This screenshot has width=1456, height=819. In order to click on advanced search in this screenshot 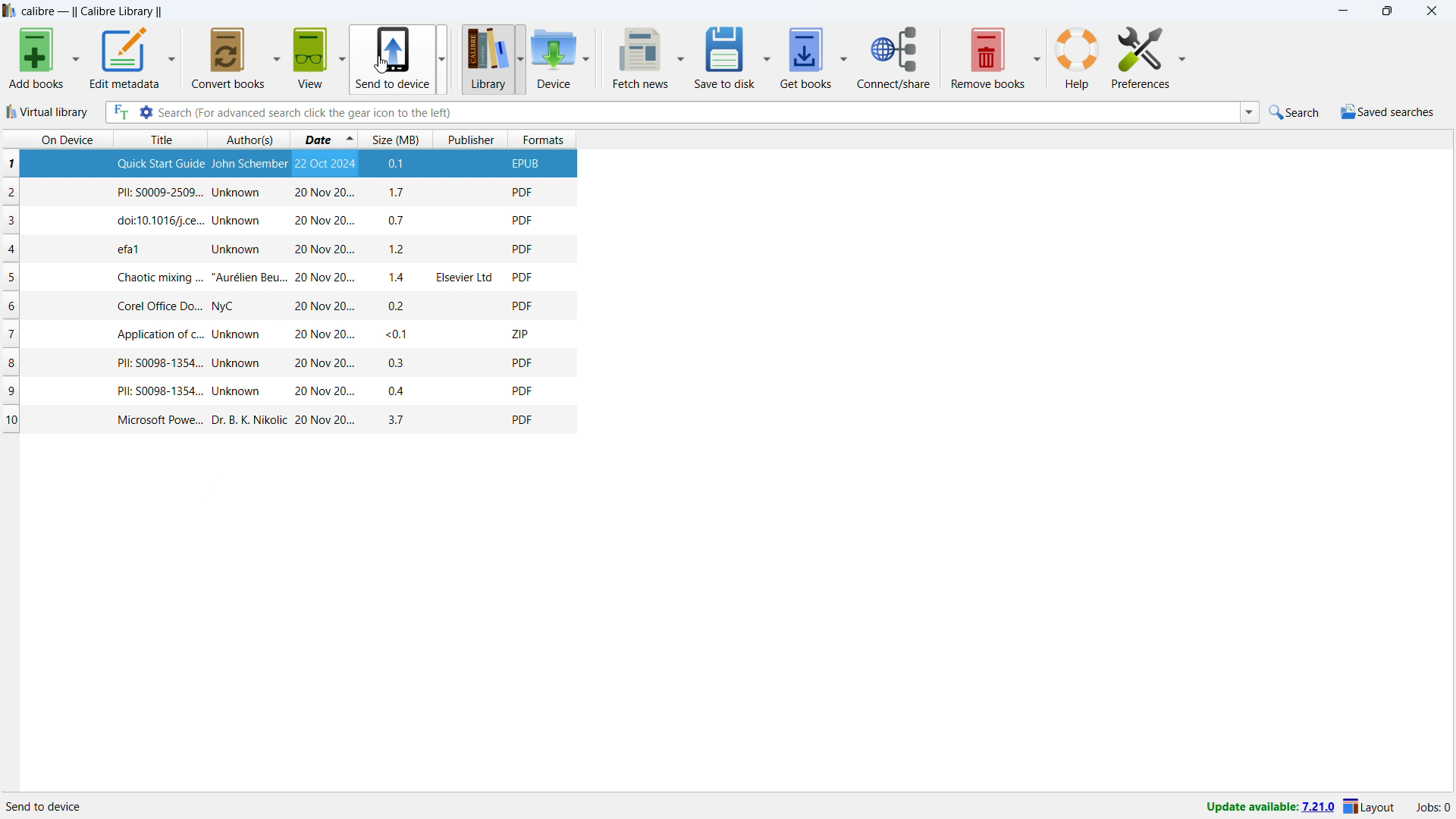, I will do `click(146, 113)`.